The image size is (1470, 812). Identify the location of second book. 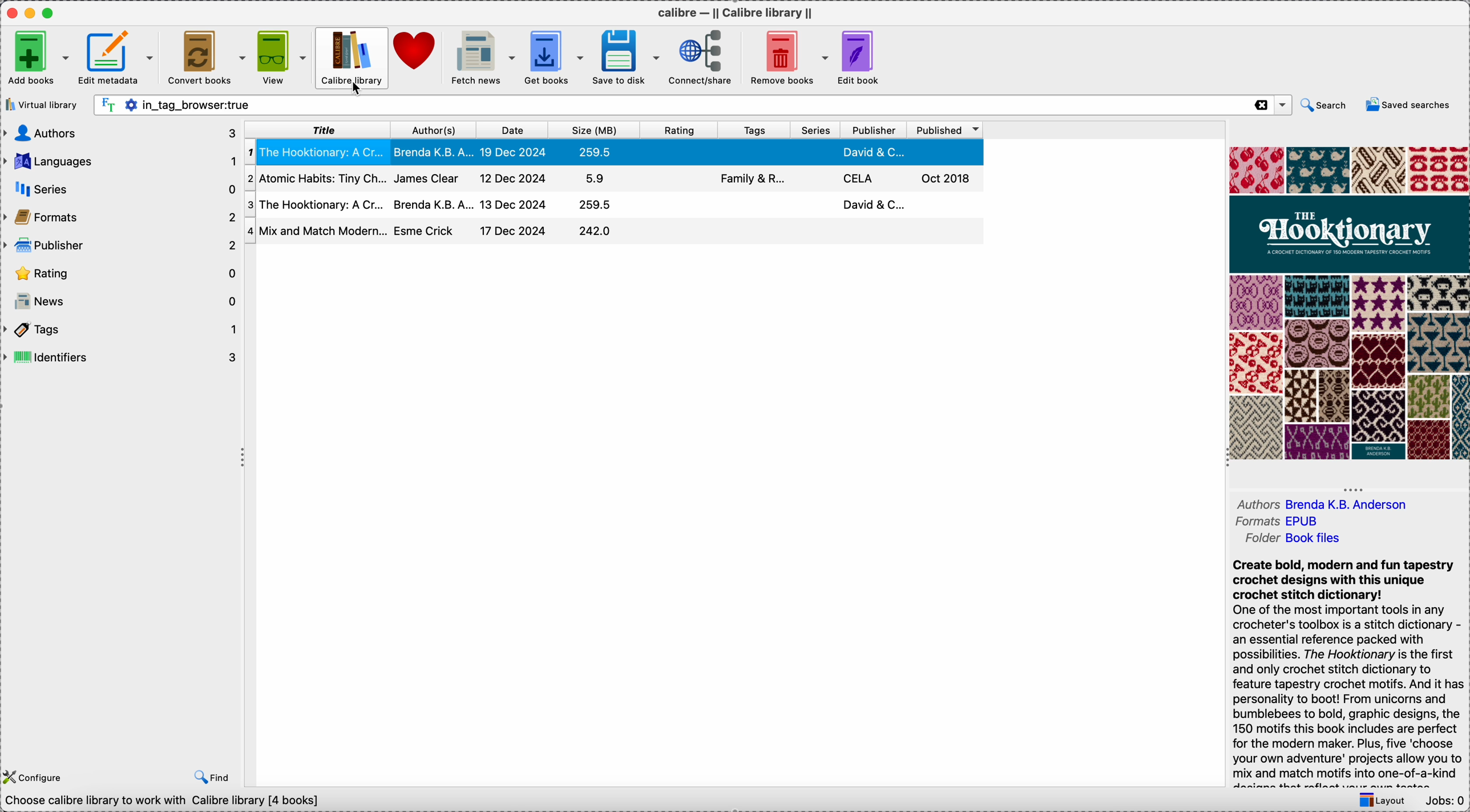
(613, 180).